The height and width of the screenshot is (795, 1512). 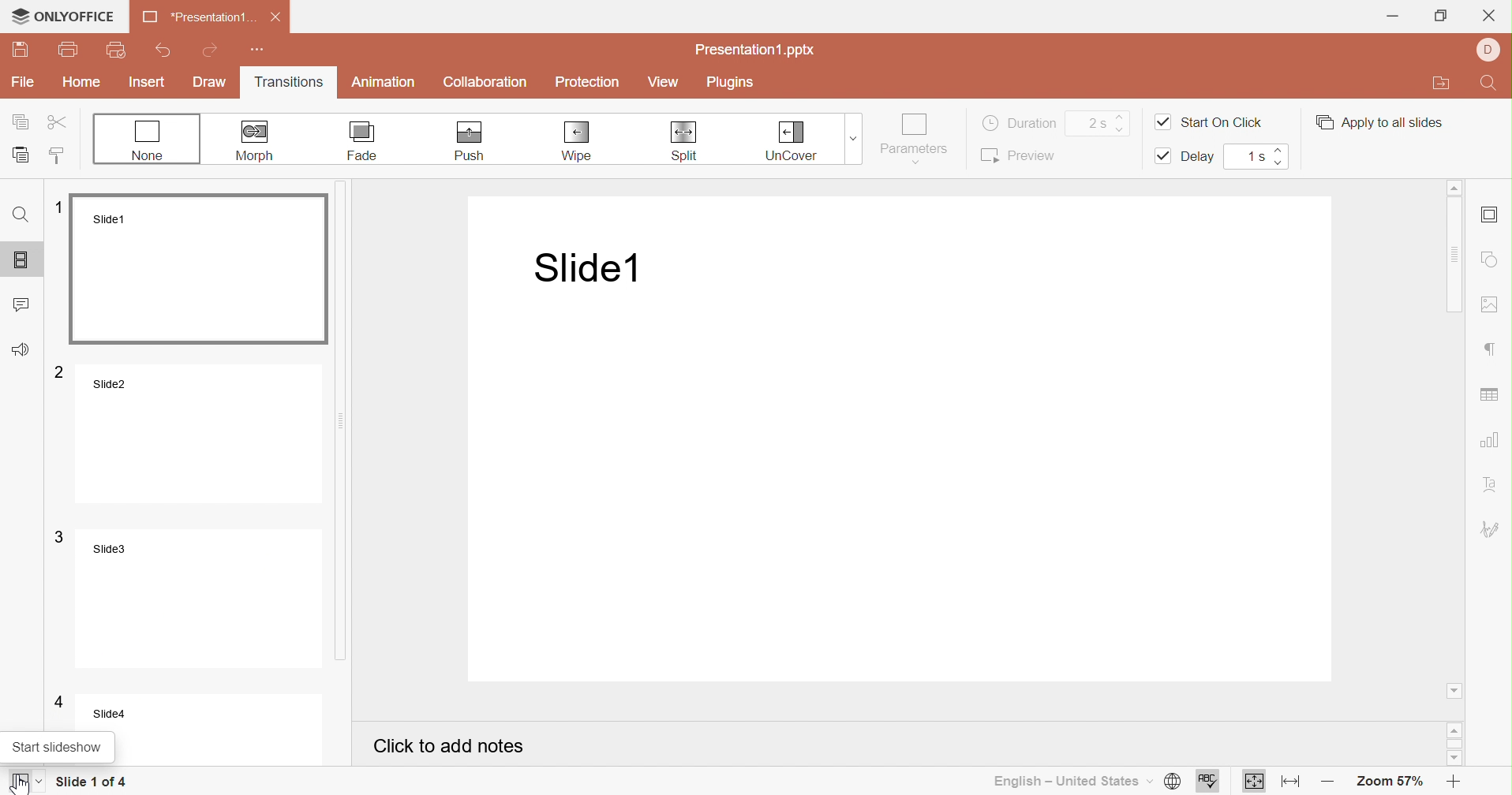 What do you see at coordinates (1491, 259) in the screenshot?
I see `Insert shape` at bounding box center [1491, 259].